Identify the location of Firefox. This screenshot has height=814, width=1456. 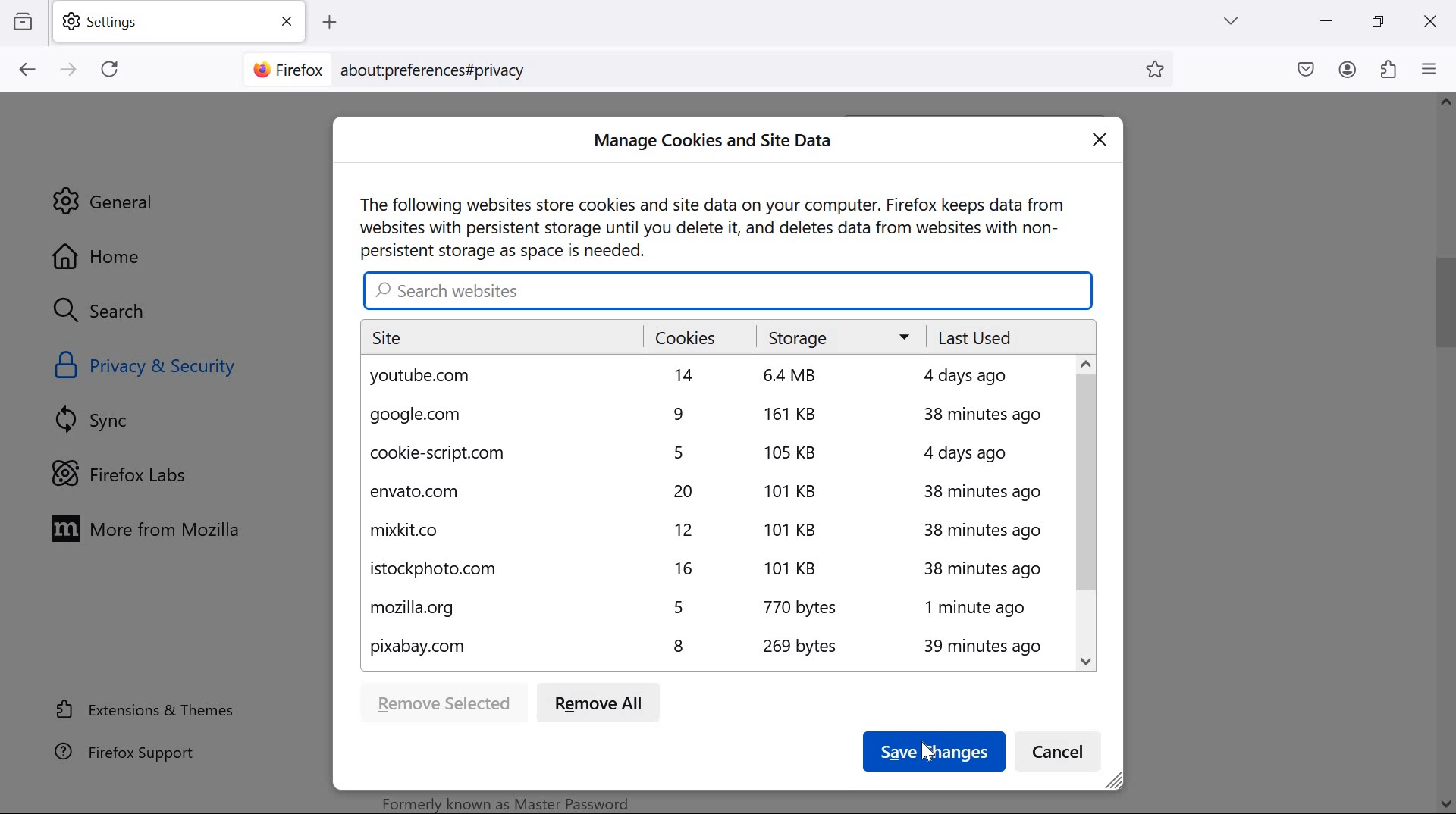
(287, 67).